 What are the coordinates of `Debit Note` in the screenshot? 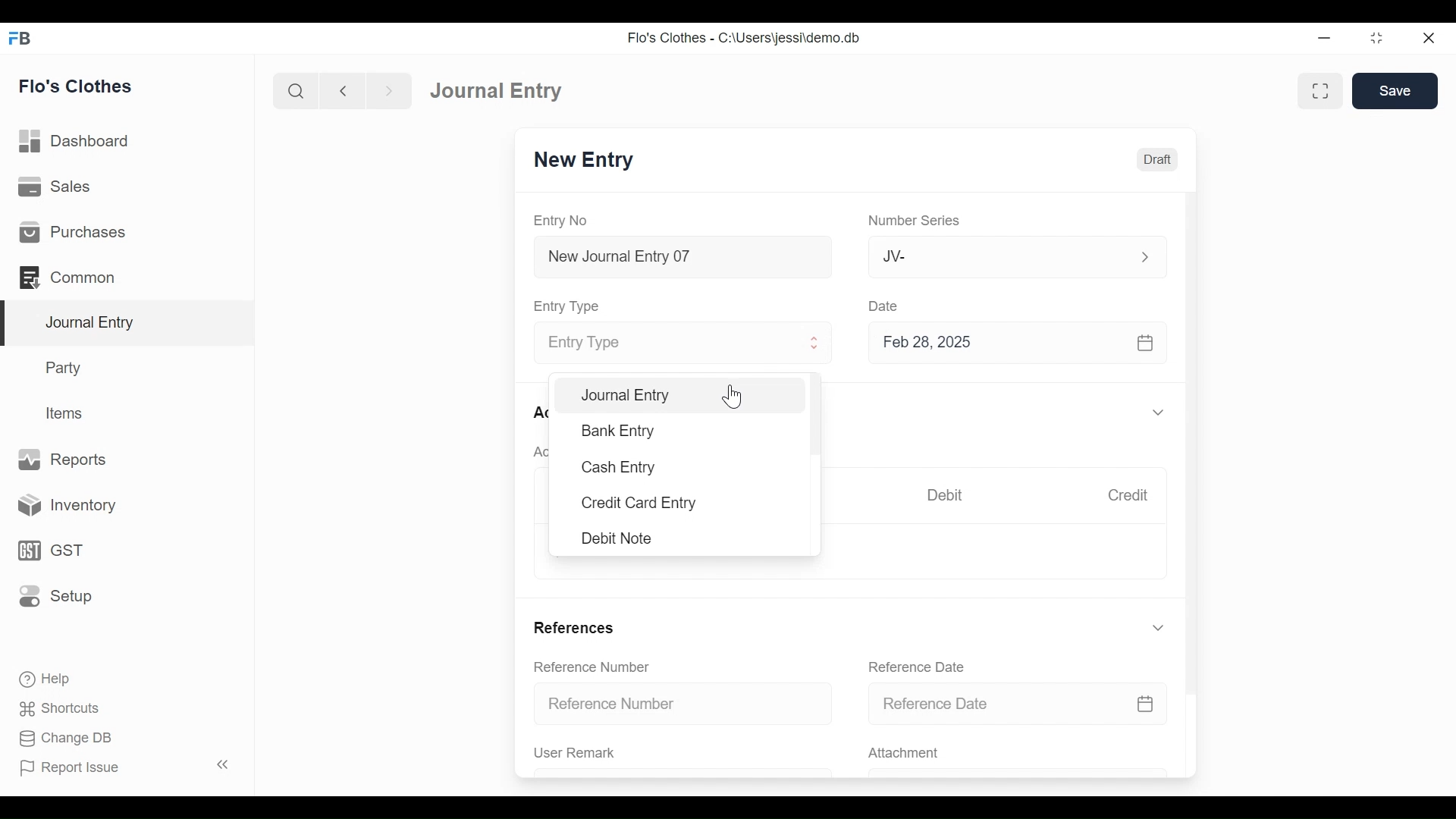 It's located at (621, 538).